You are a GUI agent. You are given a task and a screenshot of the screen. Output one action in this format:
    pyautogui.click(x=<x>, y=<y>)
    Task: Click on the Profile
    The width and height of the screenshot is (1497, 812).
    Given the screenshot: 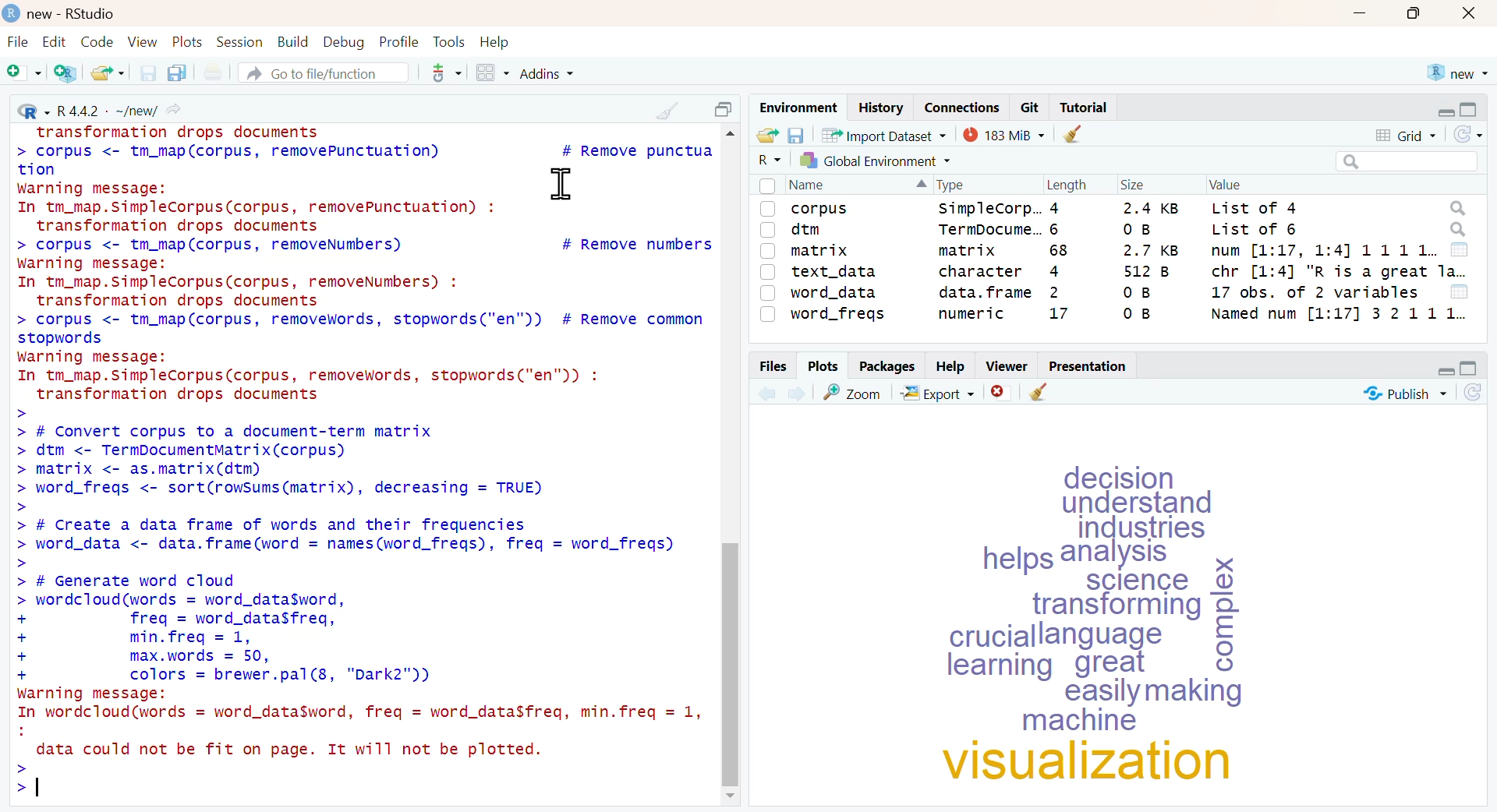 What is the action you would take?
    pyautogui.click(x=401, y=42)
    